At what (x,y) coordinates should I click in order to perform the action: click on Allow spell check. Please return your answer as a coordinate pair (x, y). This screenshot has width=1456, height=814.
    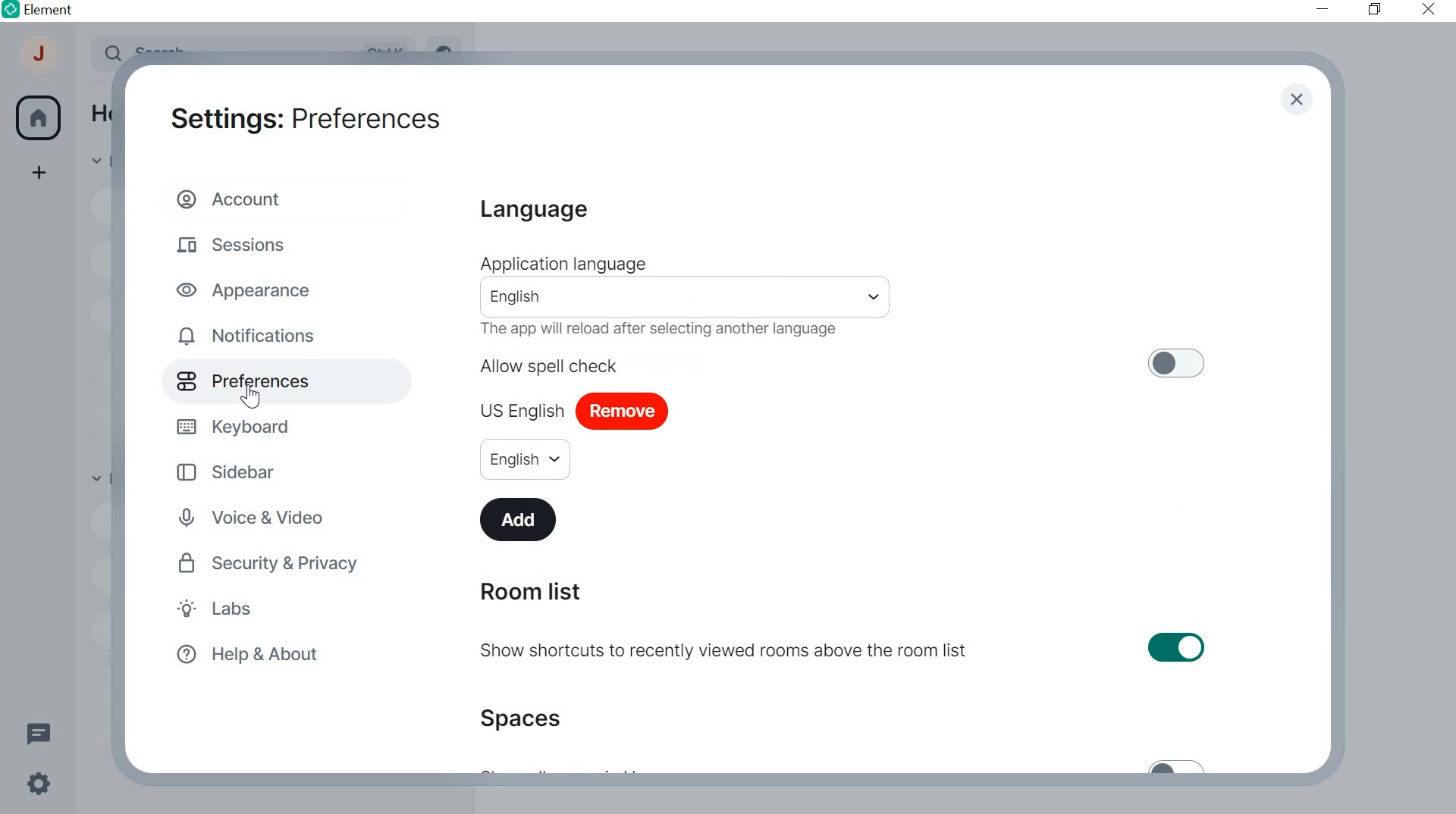
    Looking at the image, I should click on (844, 363).